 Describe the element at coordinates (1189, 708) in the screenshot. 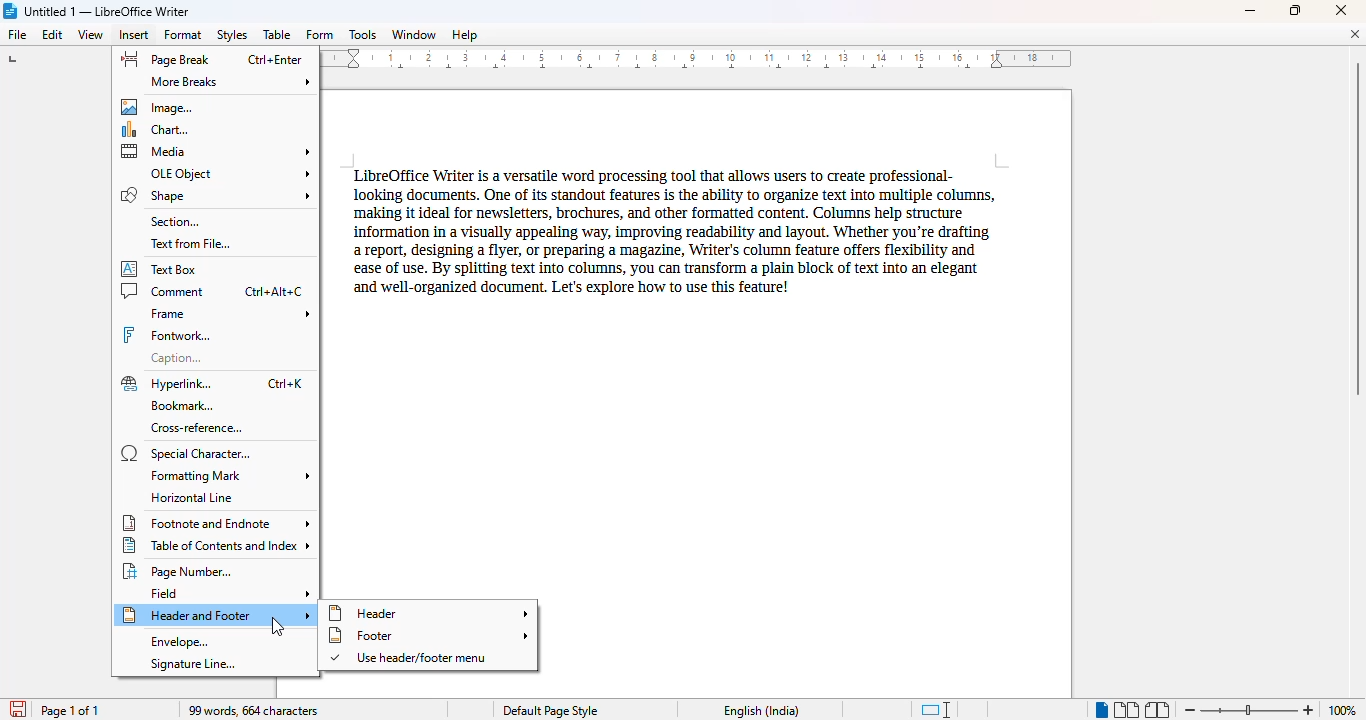

I see `zoomout` at that location.